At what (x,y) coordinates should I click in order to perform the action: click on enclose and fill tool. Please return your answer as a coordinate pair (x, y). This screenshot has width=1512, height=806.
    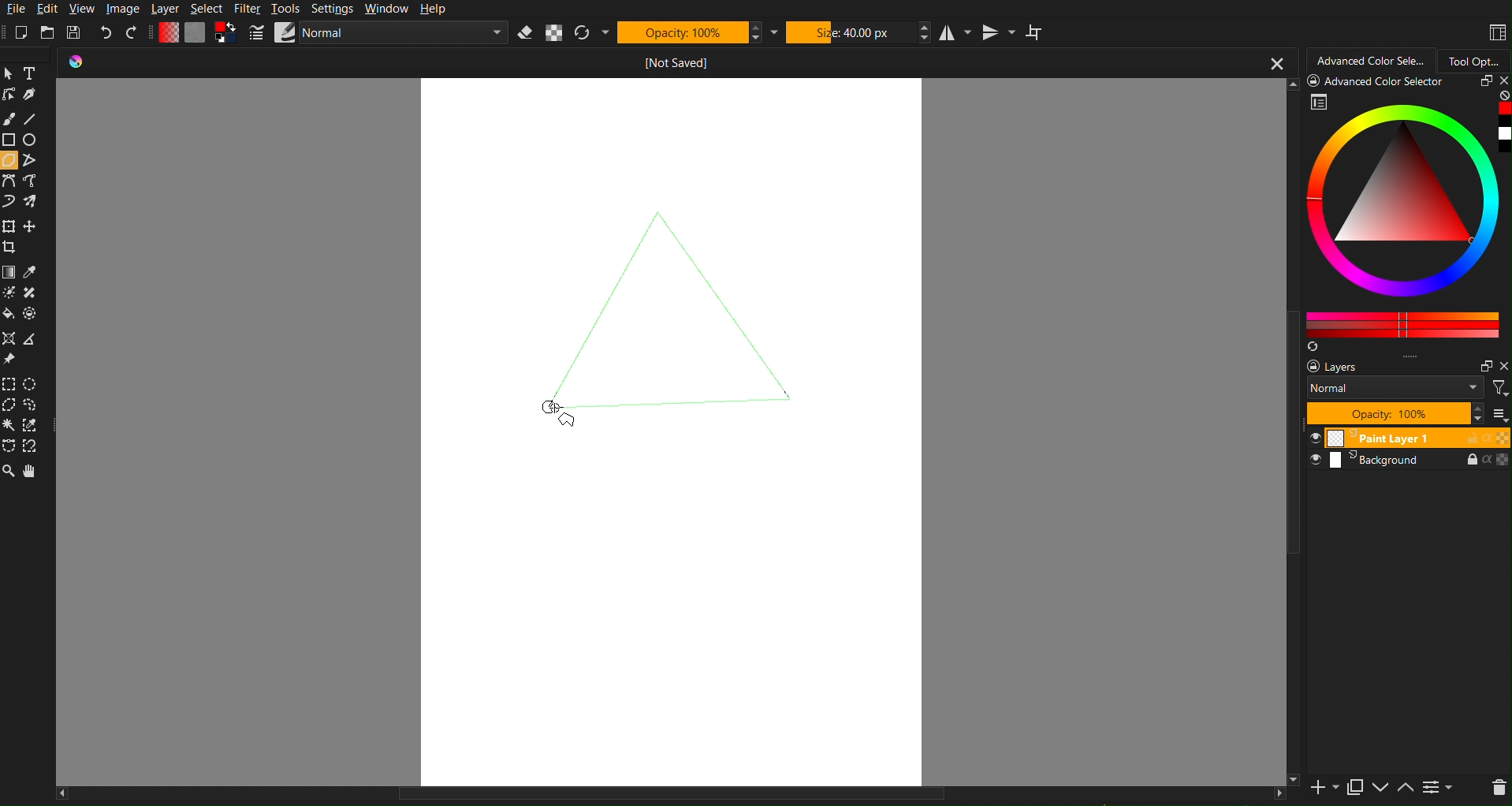
    Looking at the image, I should click on (32, 313).